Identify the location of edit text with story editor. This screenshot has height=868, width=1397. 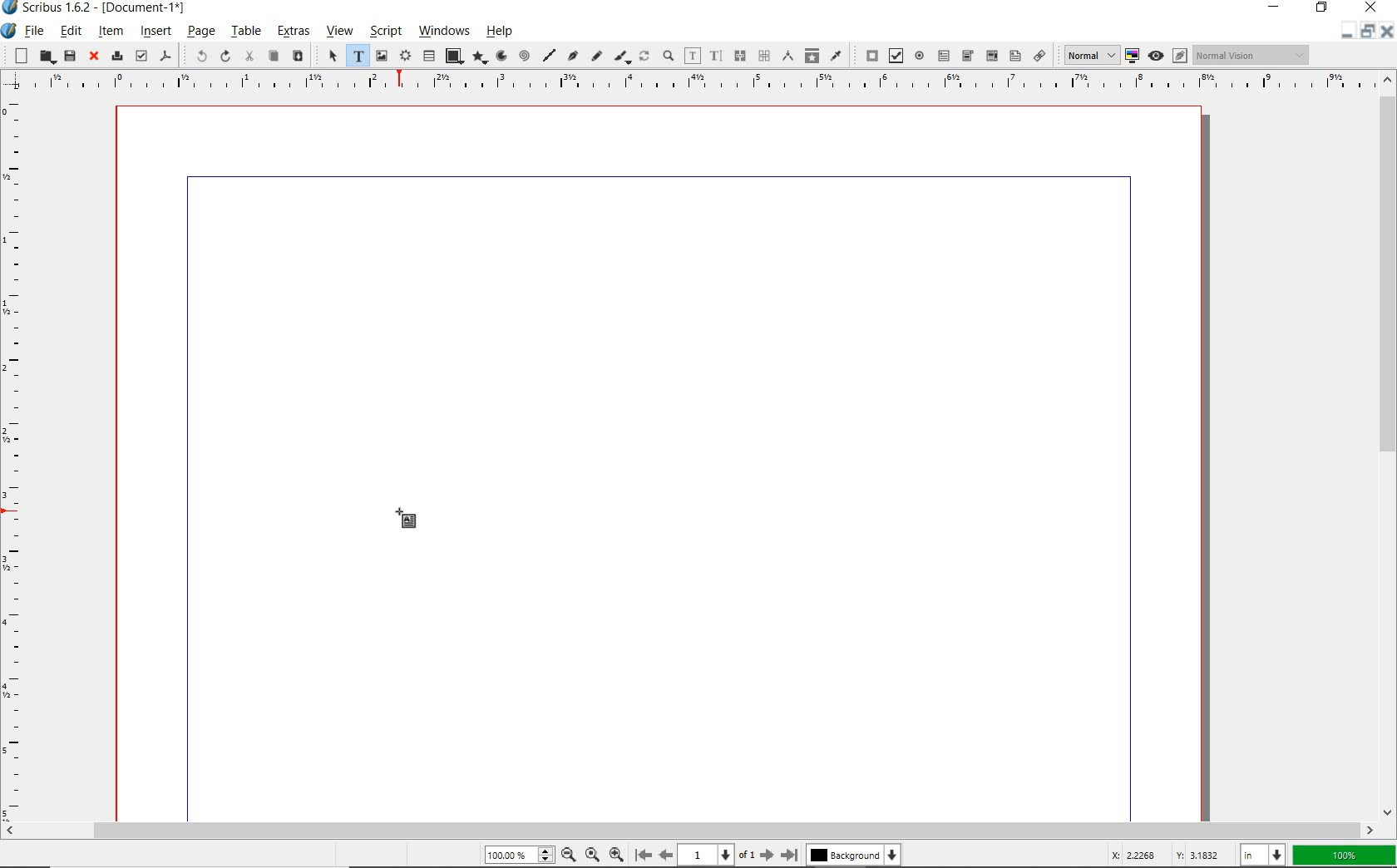
(715, 56).